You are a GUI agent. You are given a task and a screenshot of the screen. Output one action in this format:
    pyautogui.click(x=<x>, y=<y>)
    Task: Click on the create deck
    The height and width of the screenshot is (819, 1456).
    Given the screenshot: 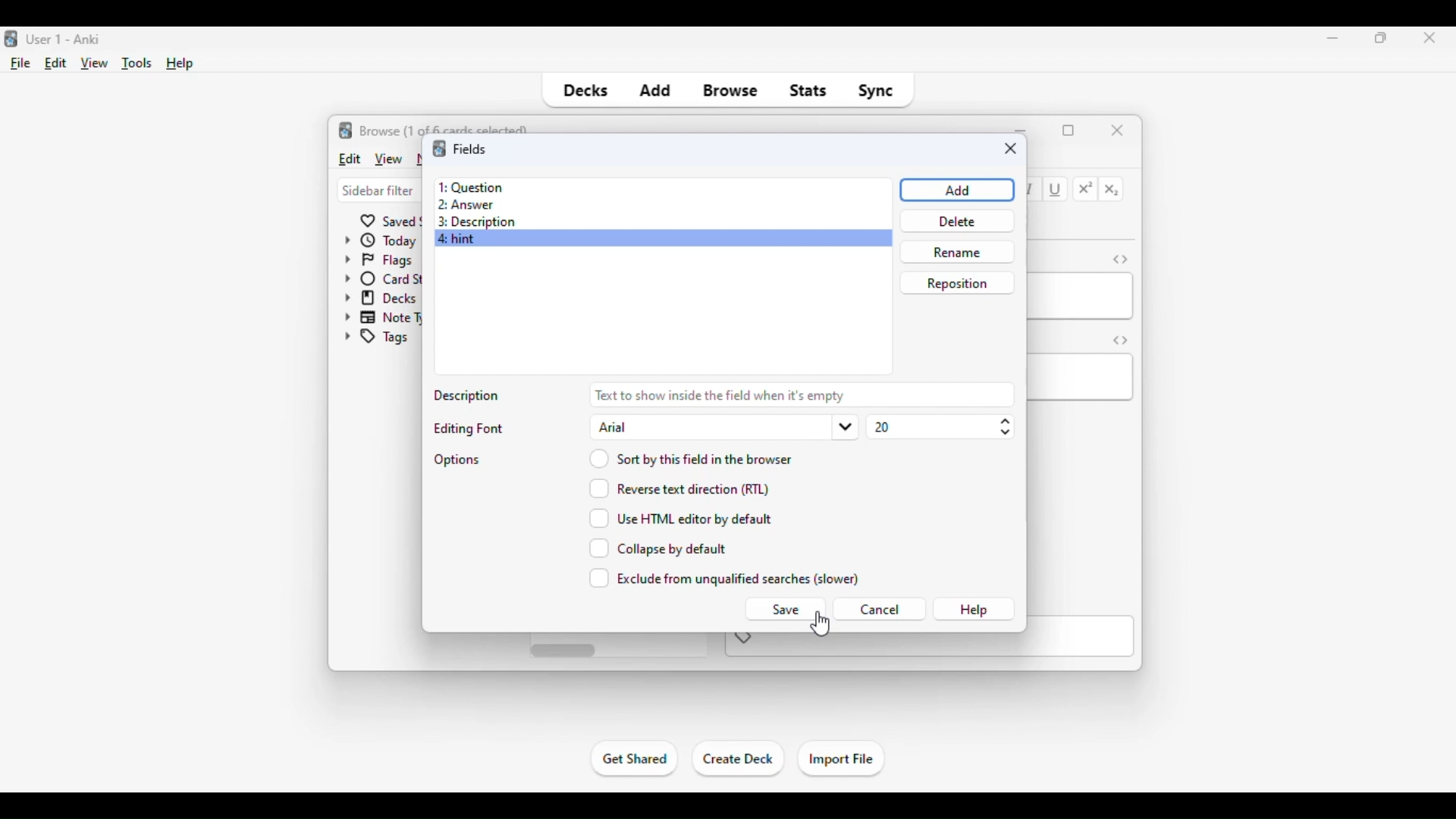 What is the action you would take?
    pyautogui.click(x=739, y=759)
    